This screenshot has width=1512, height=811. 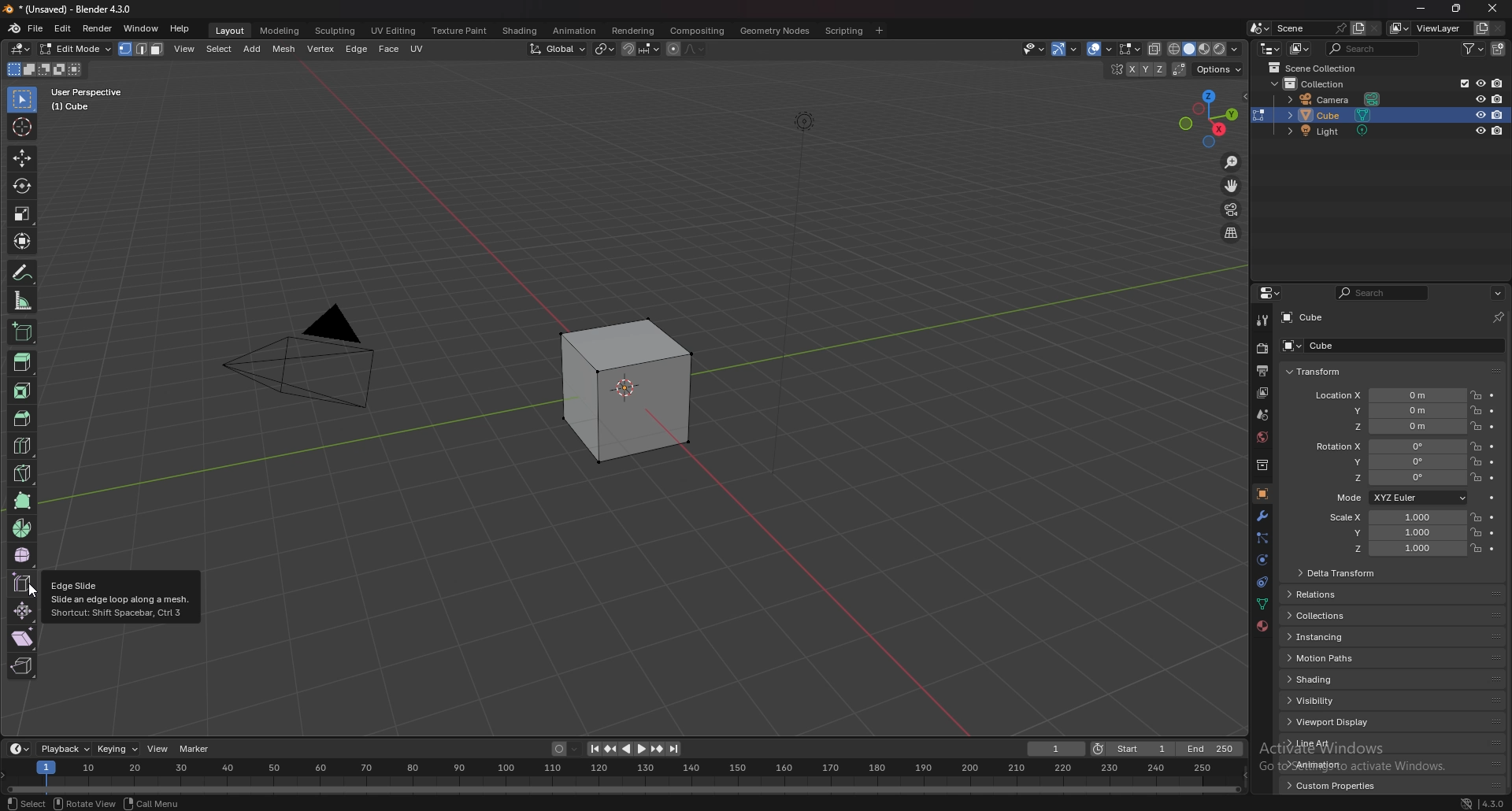 I want to click on camera, so click(x=1338, y=98).